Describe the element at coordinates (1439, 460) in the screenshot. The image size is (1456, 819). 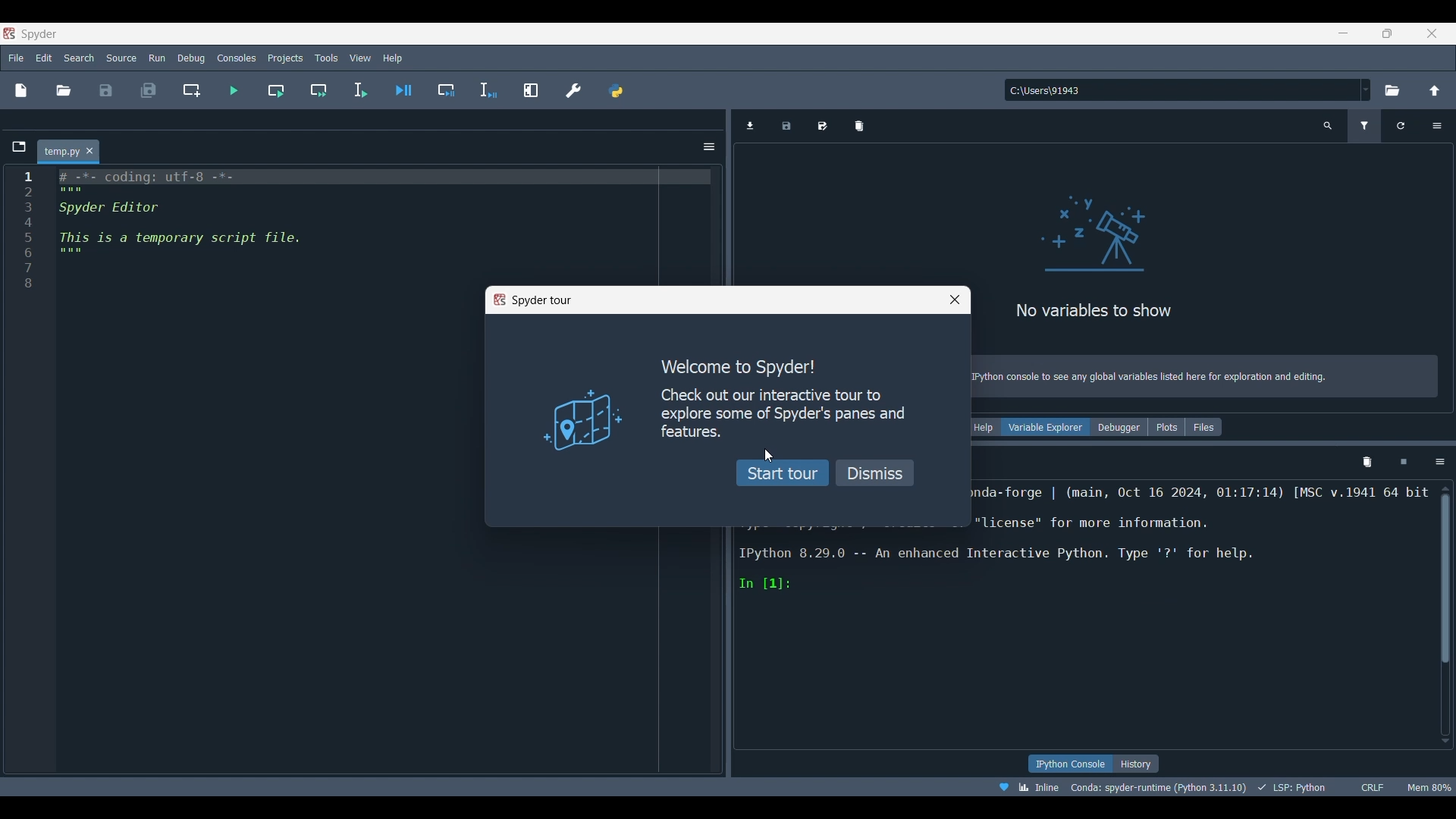
I see `menu` at that location.